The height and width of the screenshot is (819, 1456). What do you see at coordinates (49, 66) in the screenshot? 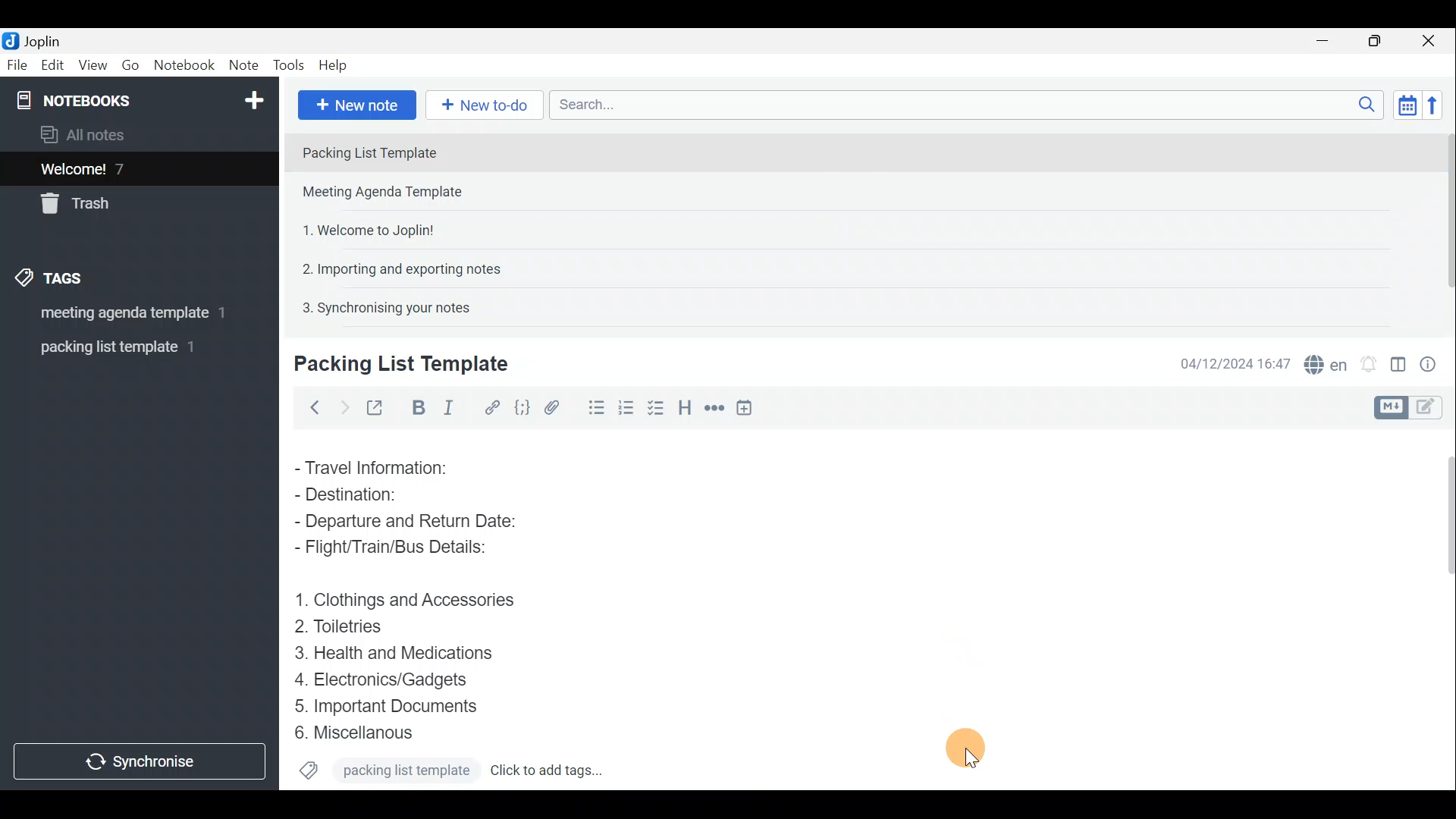
I see `Edit` at bounding box center [49, 66].